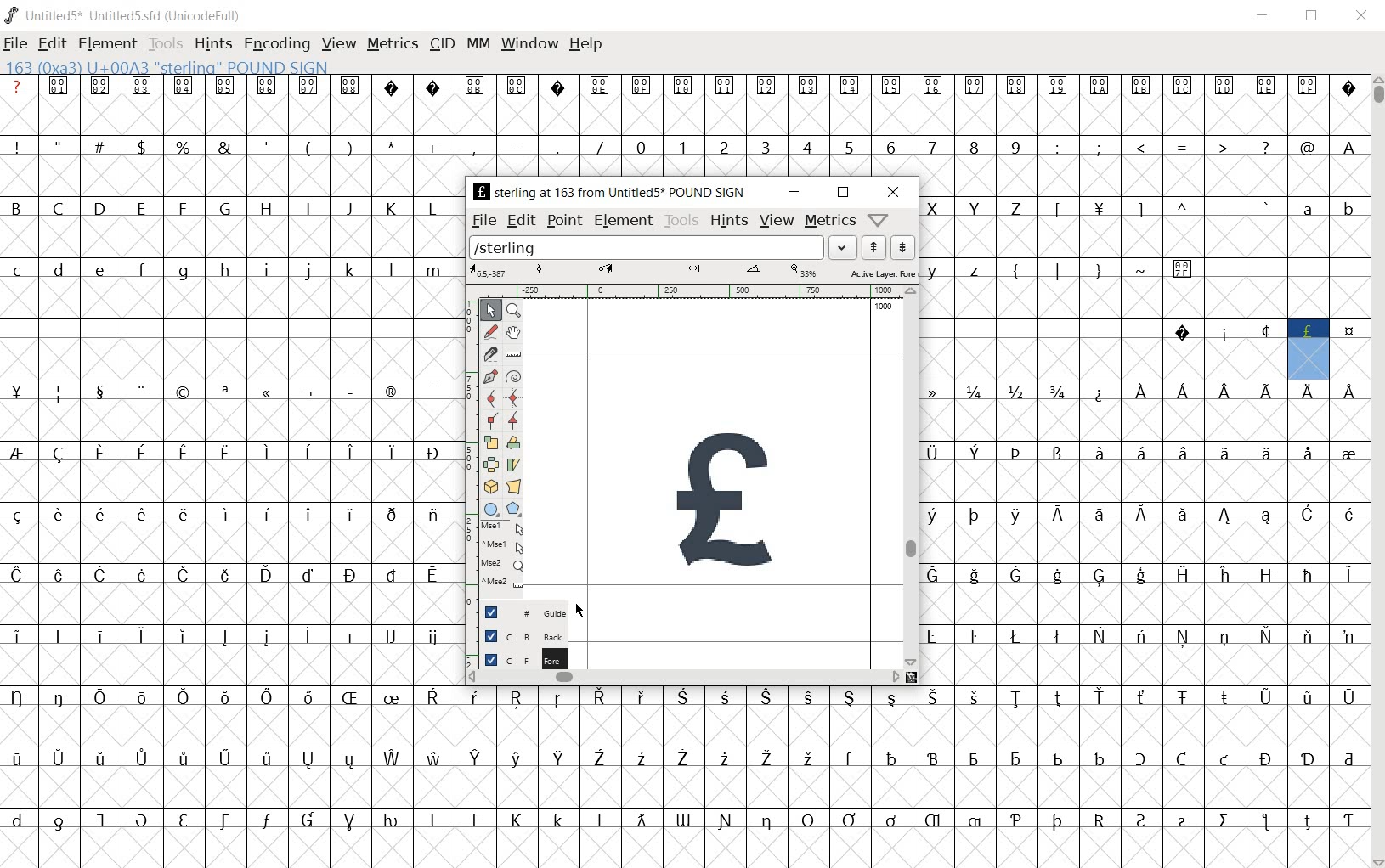  I want to click on C, so click(60, 210).